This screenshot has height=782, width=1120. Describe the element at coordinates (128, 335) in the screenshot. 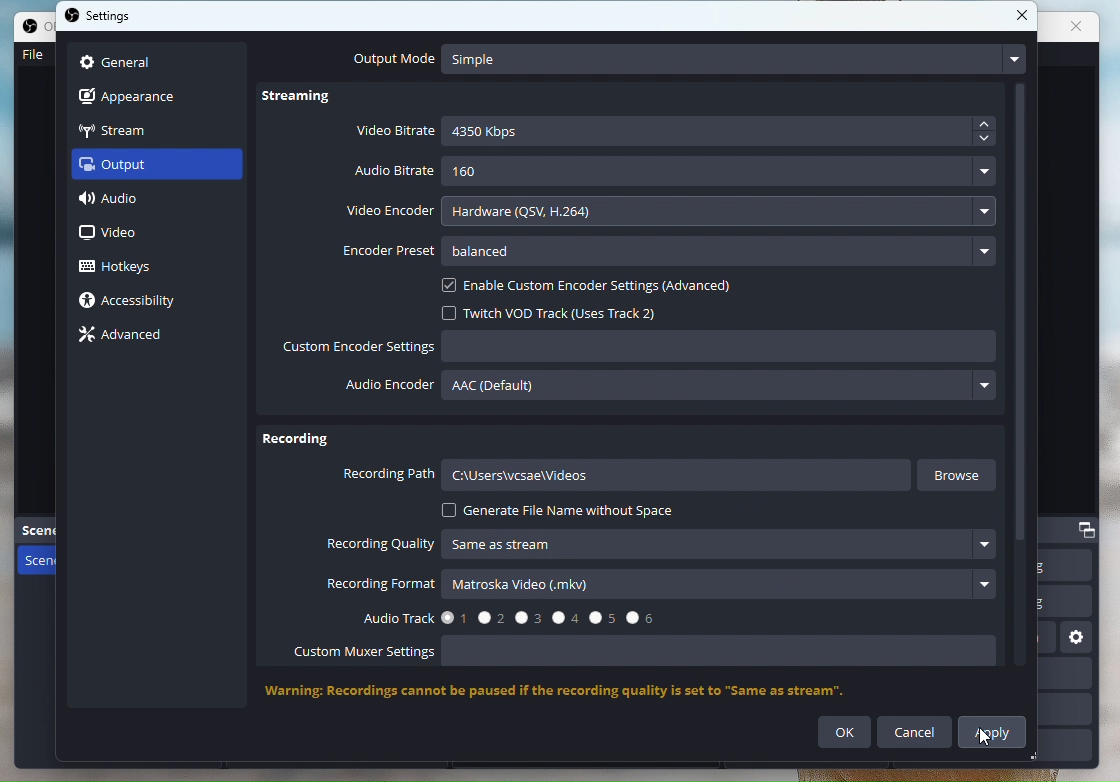

I see `Advance` at that location.